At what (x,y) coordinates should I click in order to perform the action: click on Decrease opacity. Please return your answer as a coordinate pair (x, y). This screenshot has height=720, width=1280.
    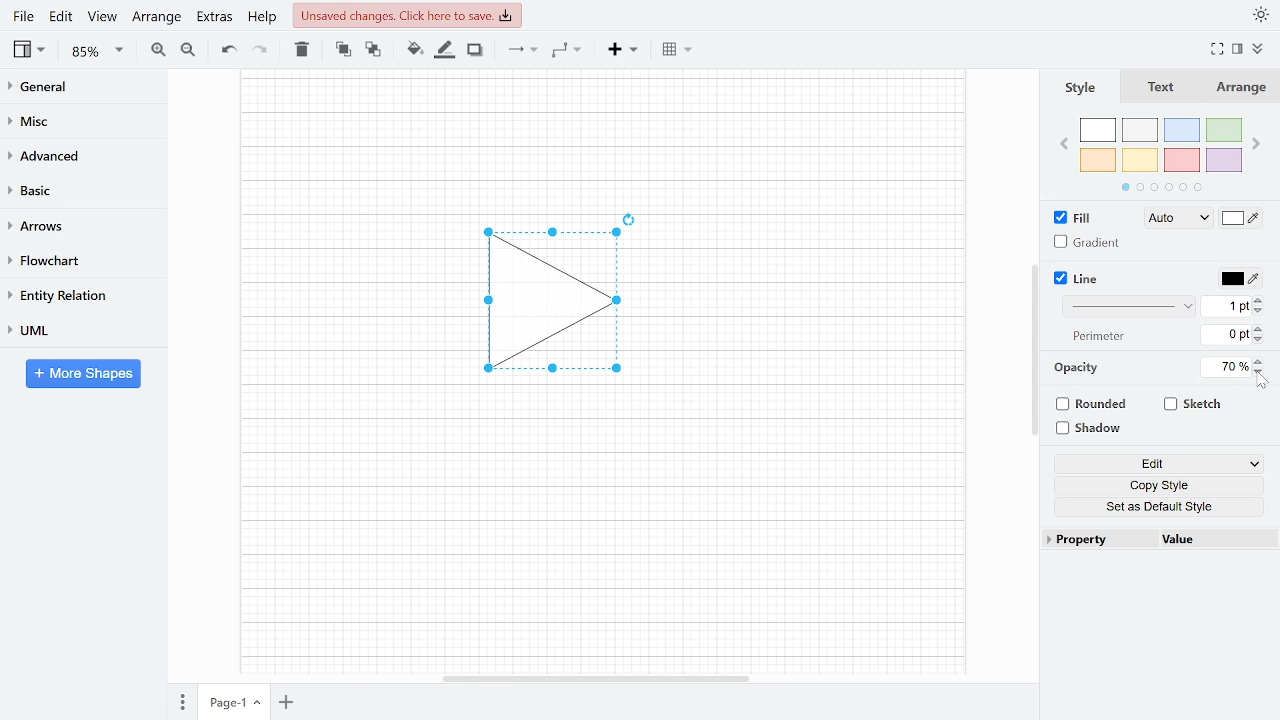
    Looking at the image, I should click on (1261, 372).